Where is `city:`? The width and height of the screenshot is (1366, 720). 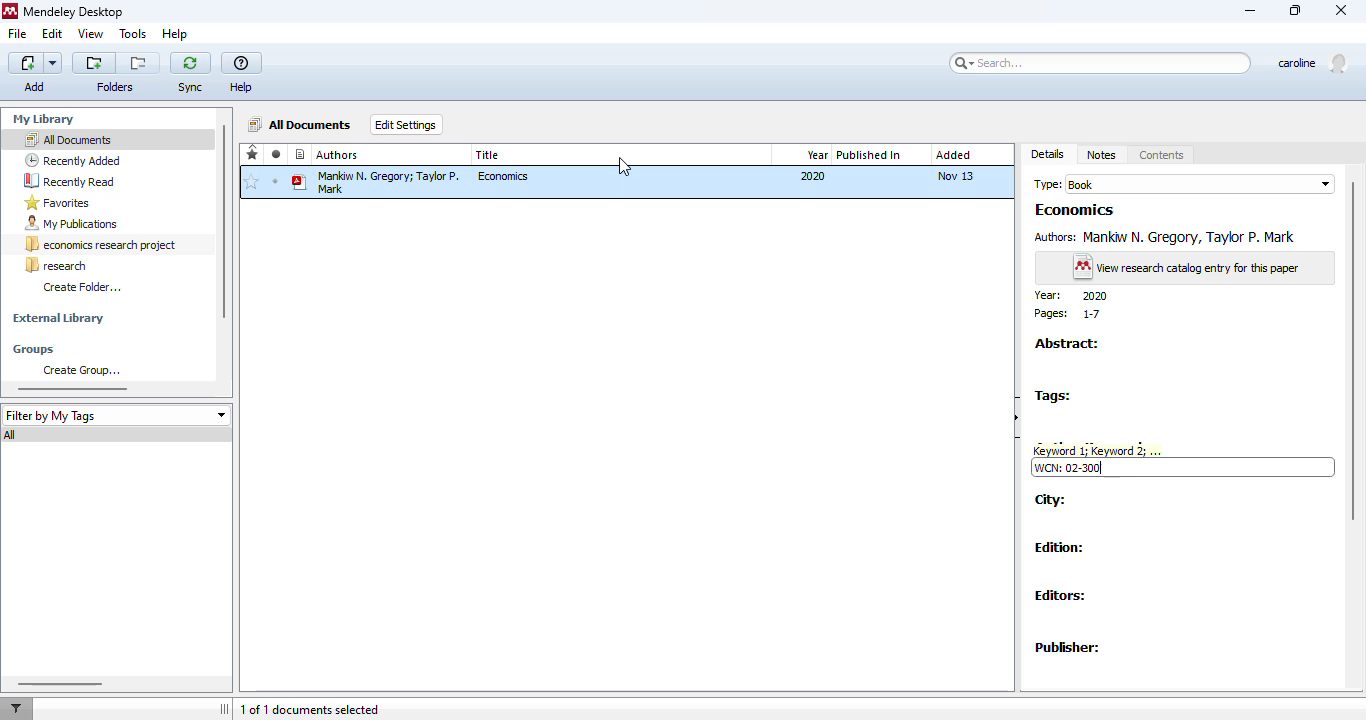
city: is located at coordinates (1053, 500).